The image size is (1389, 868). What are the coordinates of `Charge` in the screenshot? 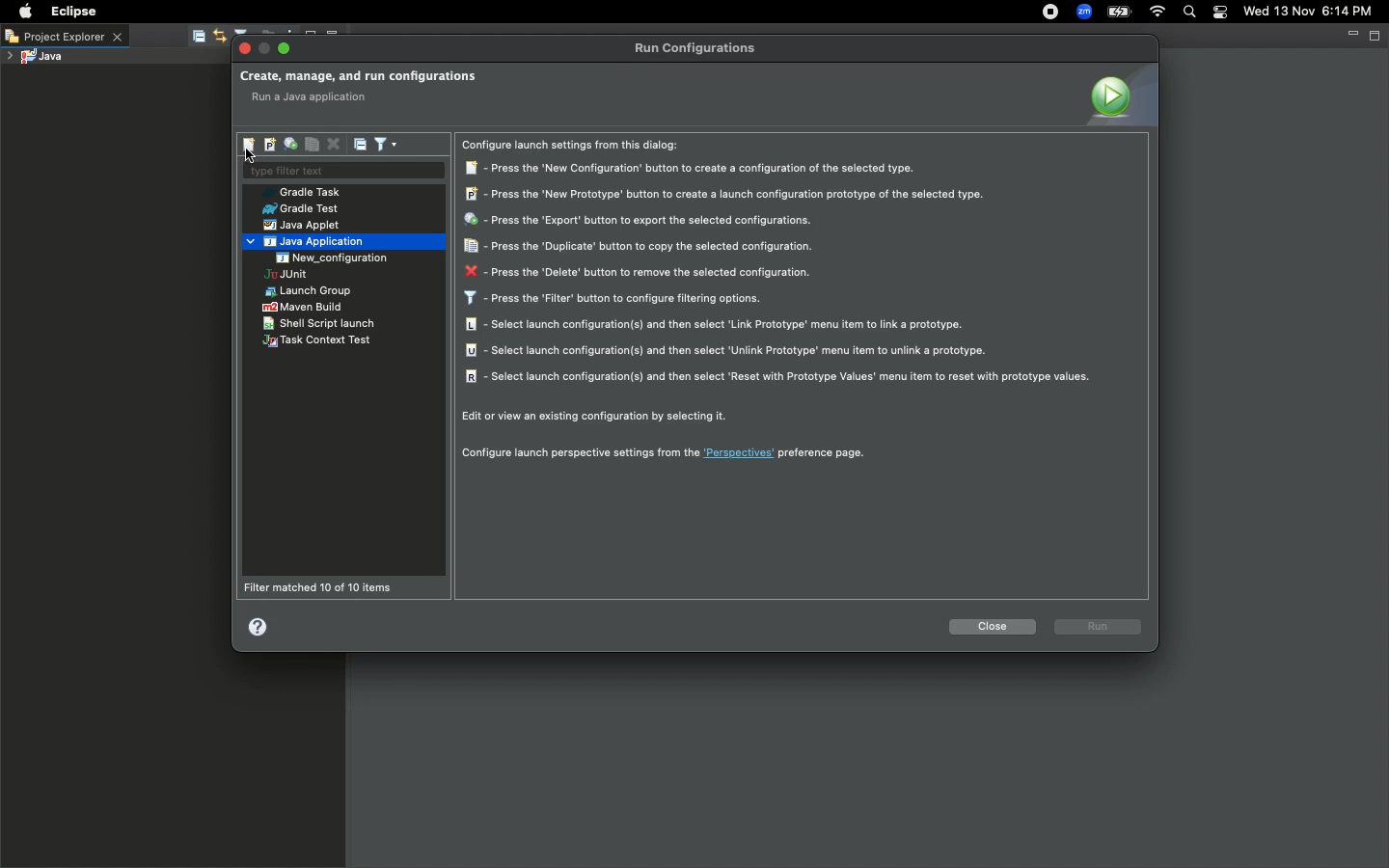 It's located at (1119, 14).